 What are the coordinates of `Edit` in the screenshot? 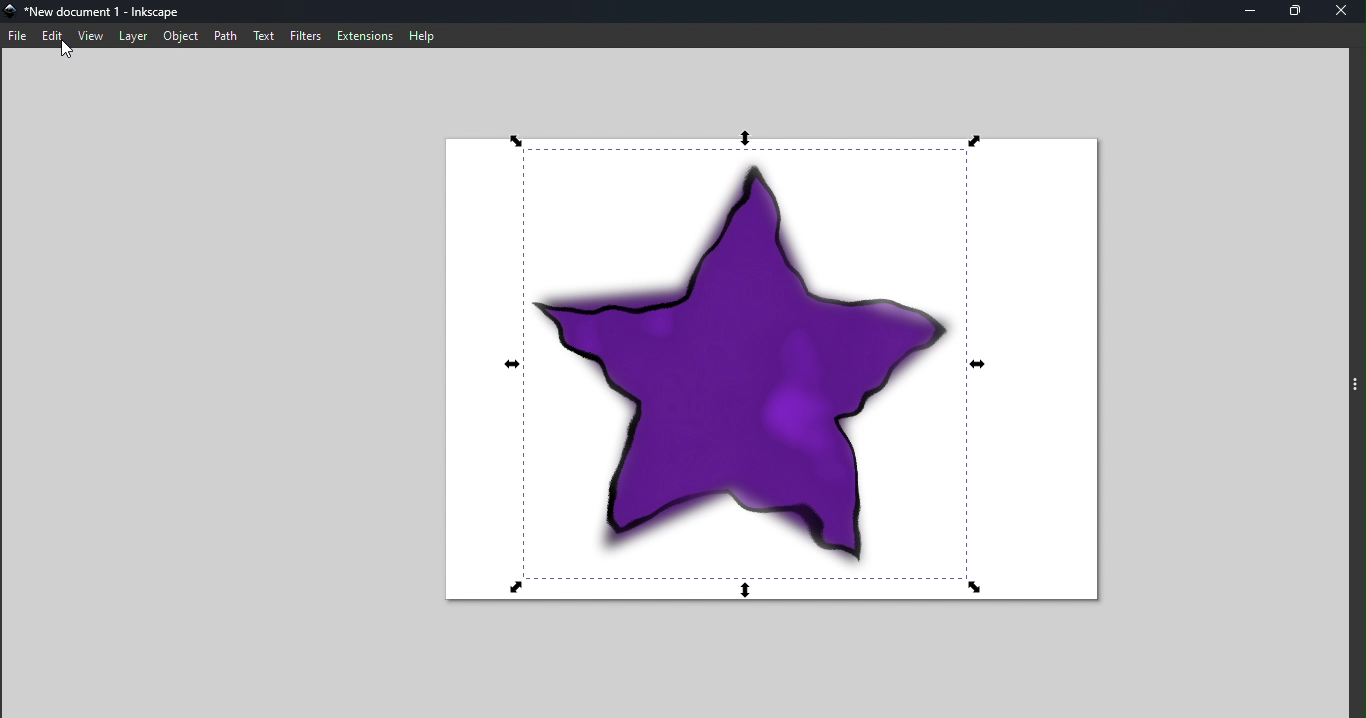 It's located at (53, 36).